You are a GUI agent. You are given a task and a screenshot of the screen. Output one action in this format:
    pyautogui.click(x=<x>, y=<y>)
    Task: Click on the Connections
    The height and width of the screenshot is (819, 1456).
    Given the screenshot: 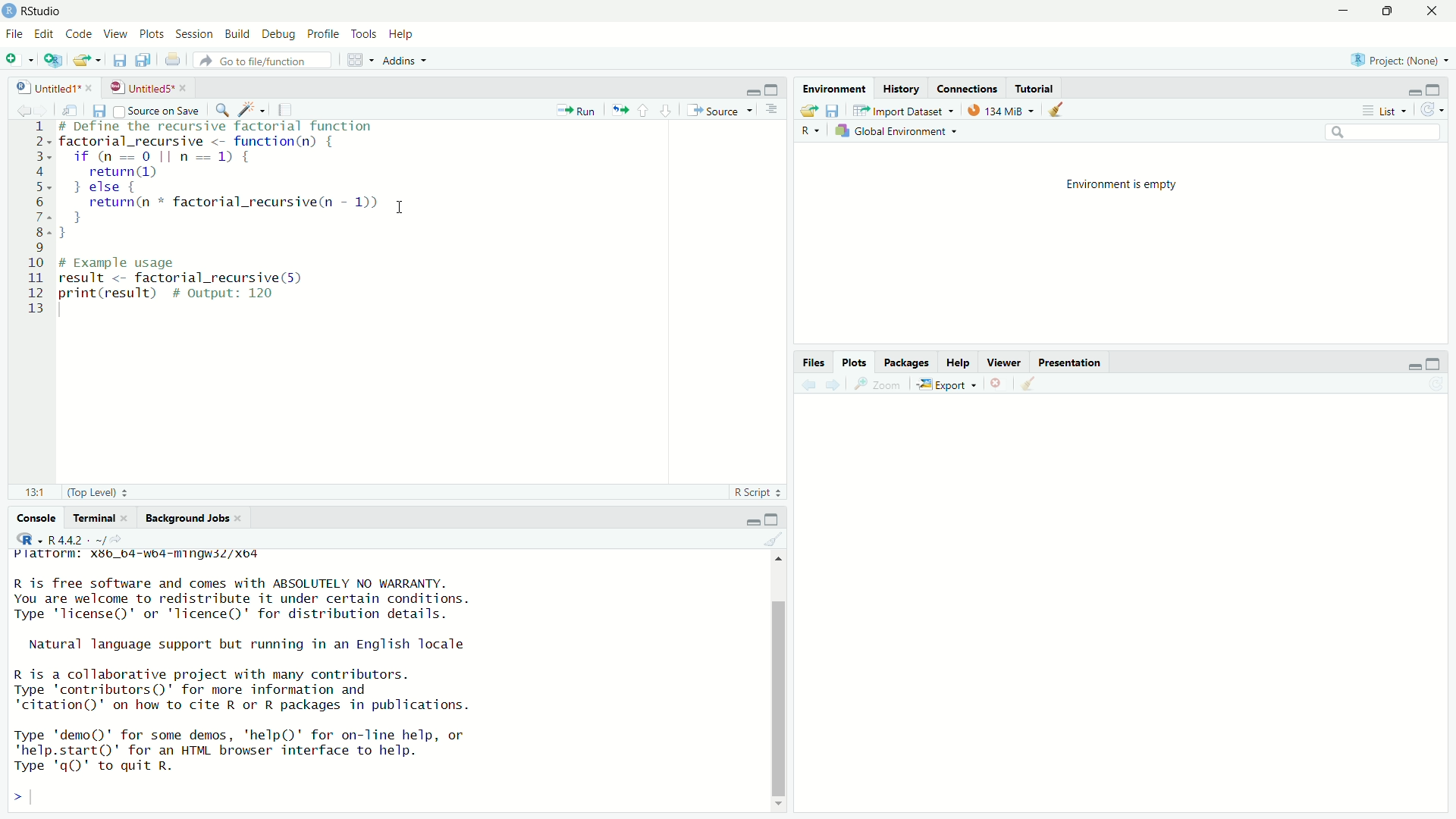 What is the action you would take?
    pyautogui.click(x=968, y=86)
    